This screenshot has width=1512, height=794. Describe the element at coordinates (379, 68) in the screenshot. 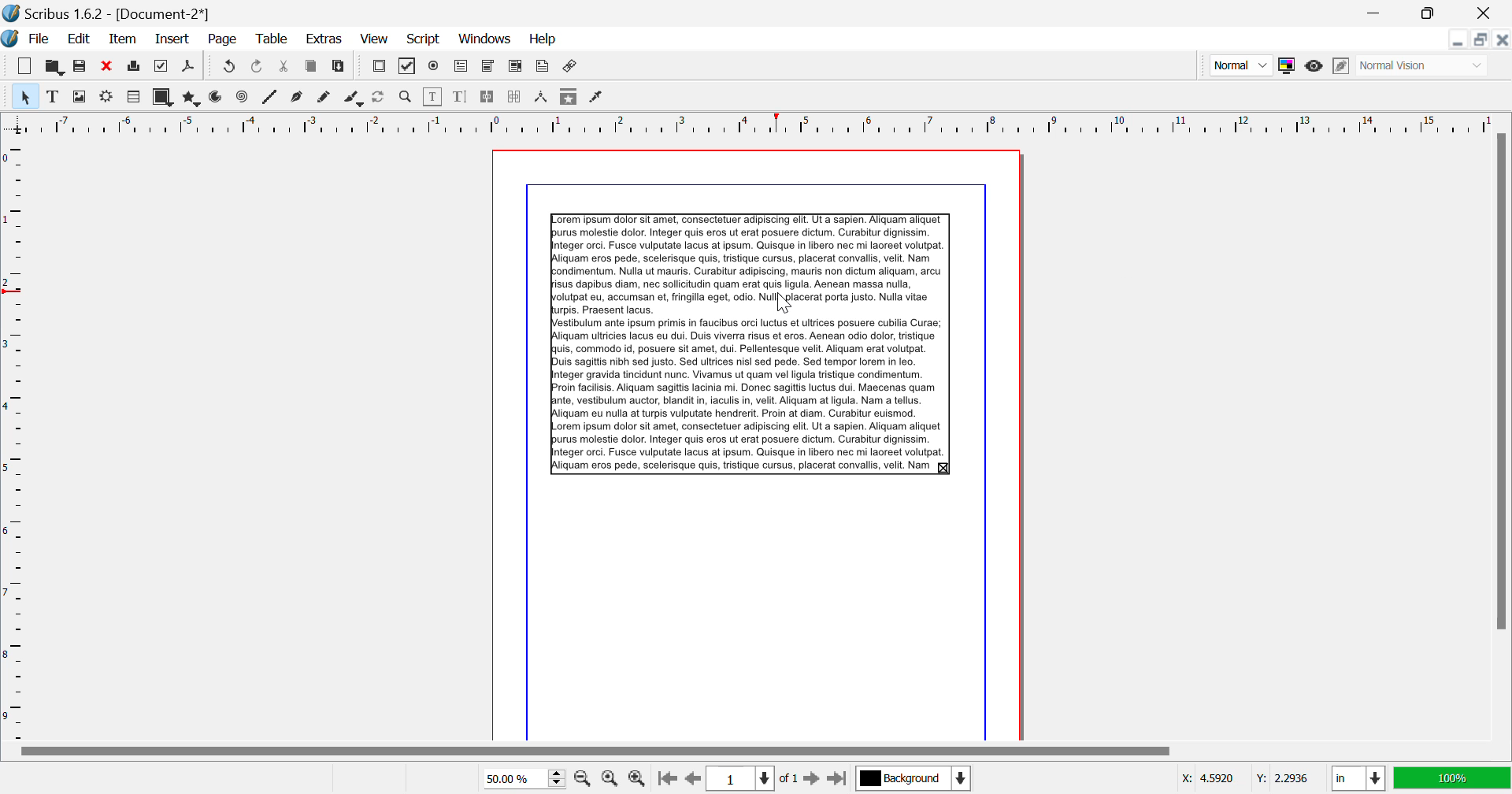

I see `Pdf Push Button` at that location.